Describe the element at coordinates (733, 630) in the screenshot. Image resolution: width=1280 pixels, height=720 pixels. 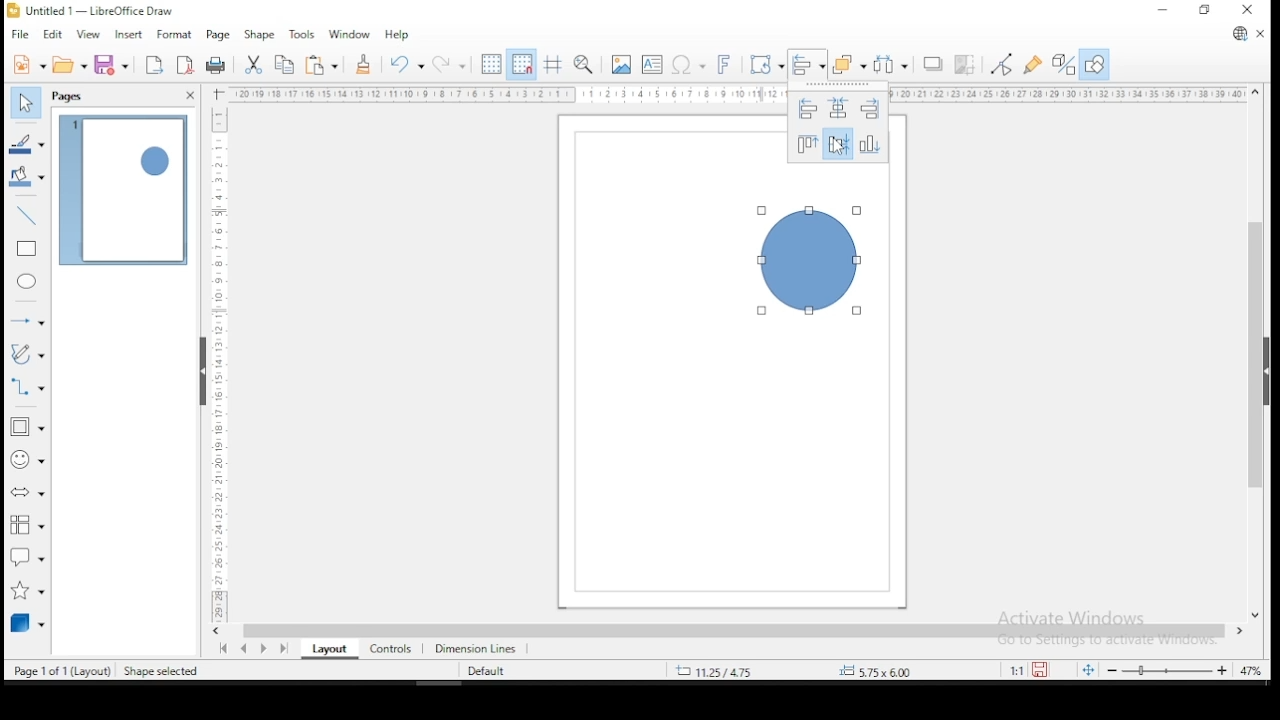
I see `scroll bar` at that location.